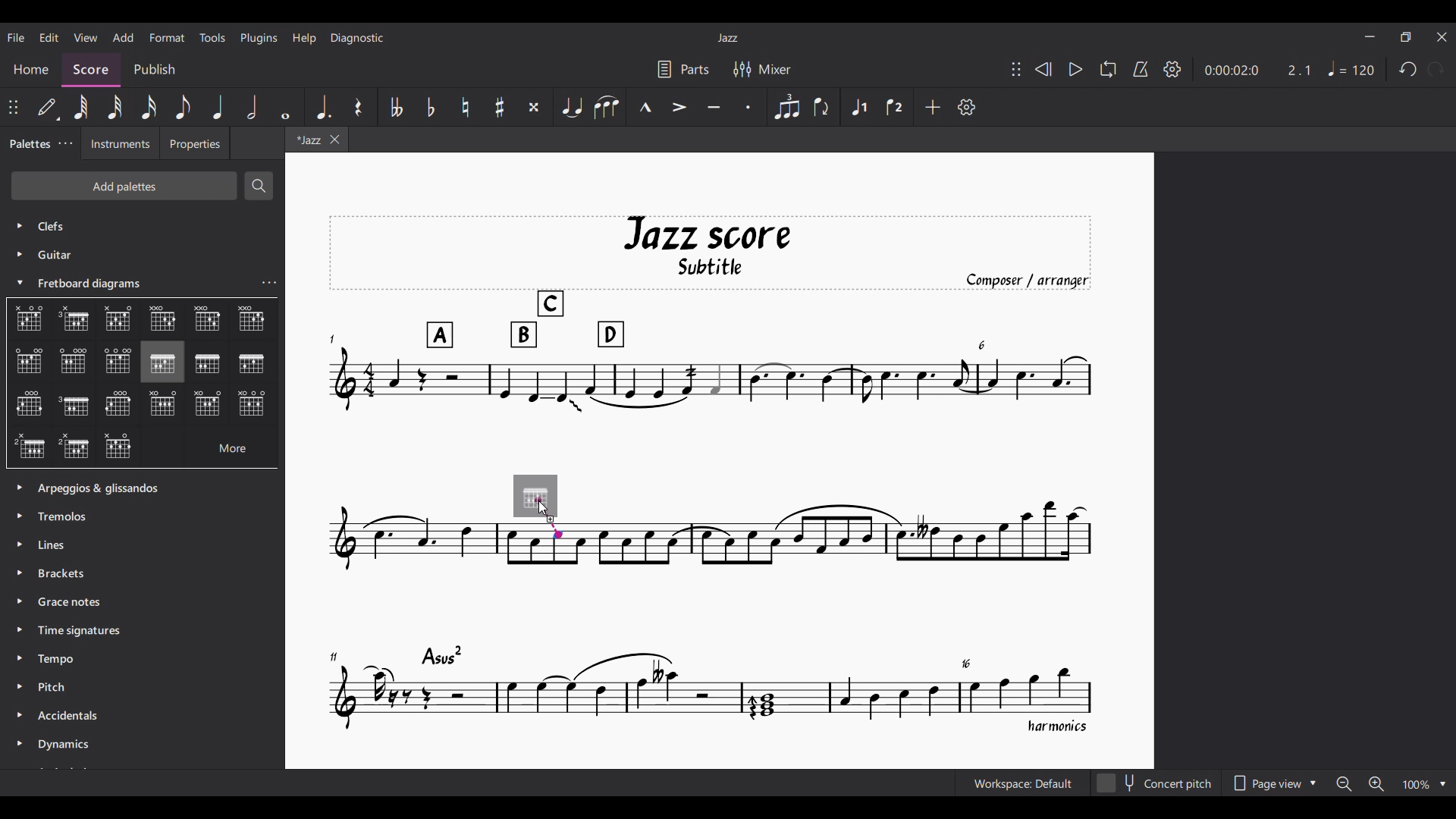 The width and height of the screenshot is (1456, 819). I want to click on Loop playback, so click(1108, 69).